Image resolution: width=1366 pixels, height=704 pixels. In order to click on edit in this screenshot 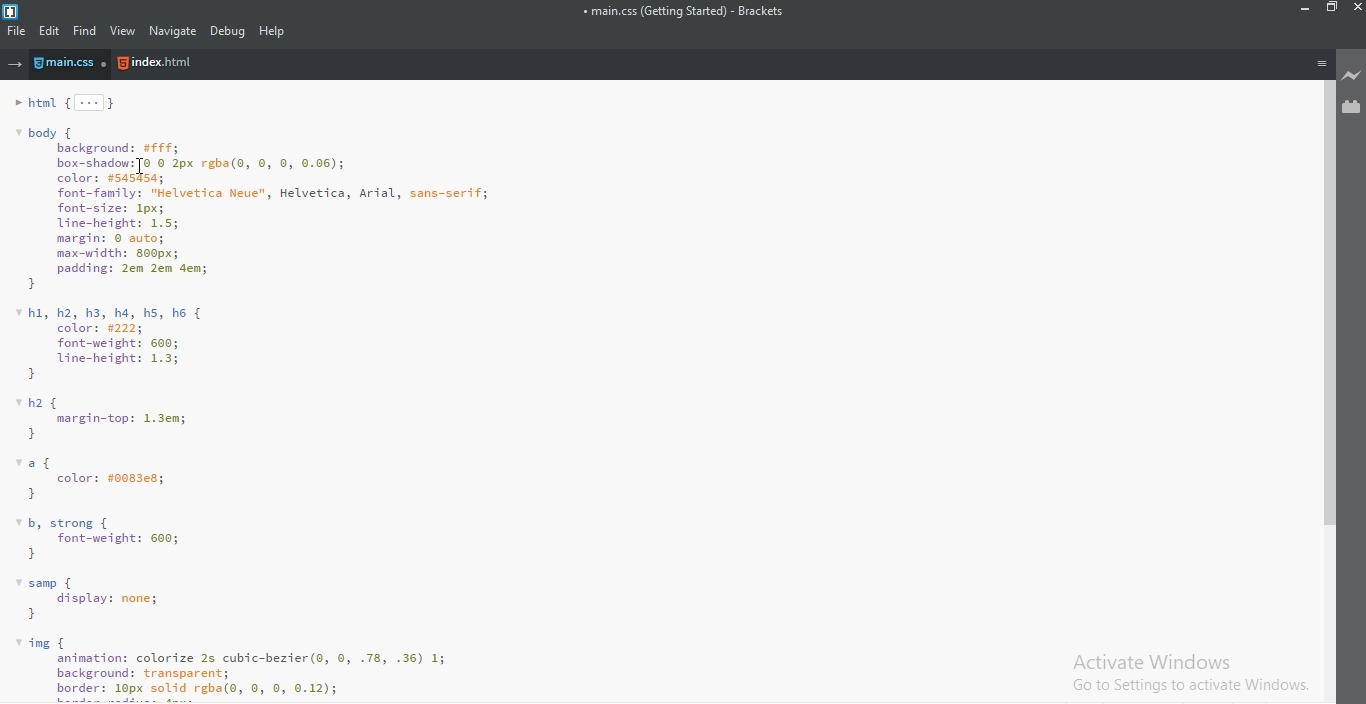, I will do `click(51, 31)`.